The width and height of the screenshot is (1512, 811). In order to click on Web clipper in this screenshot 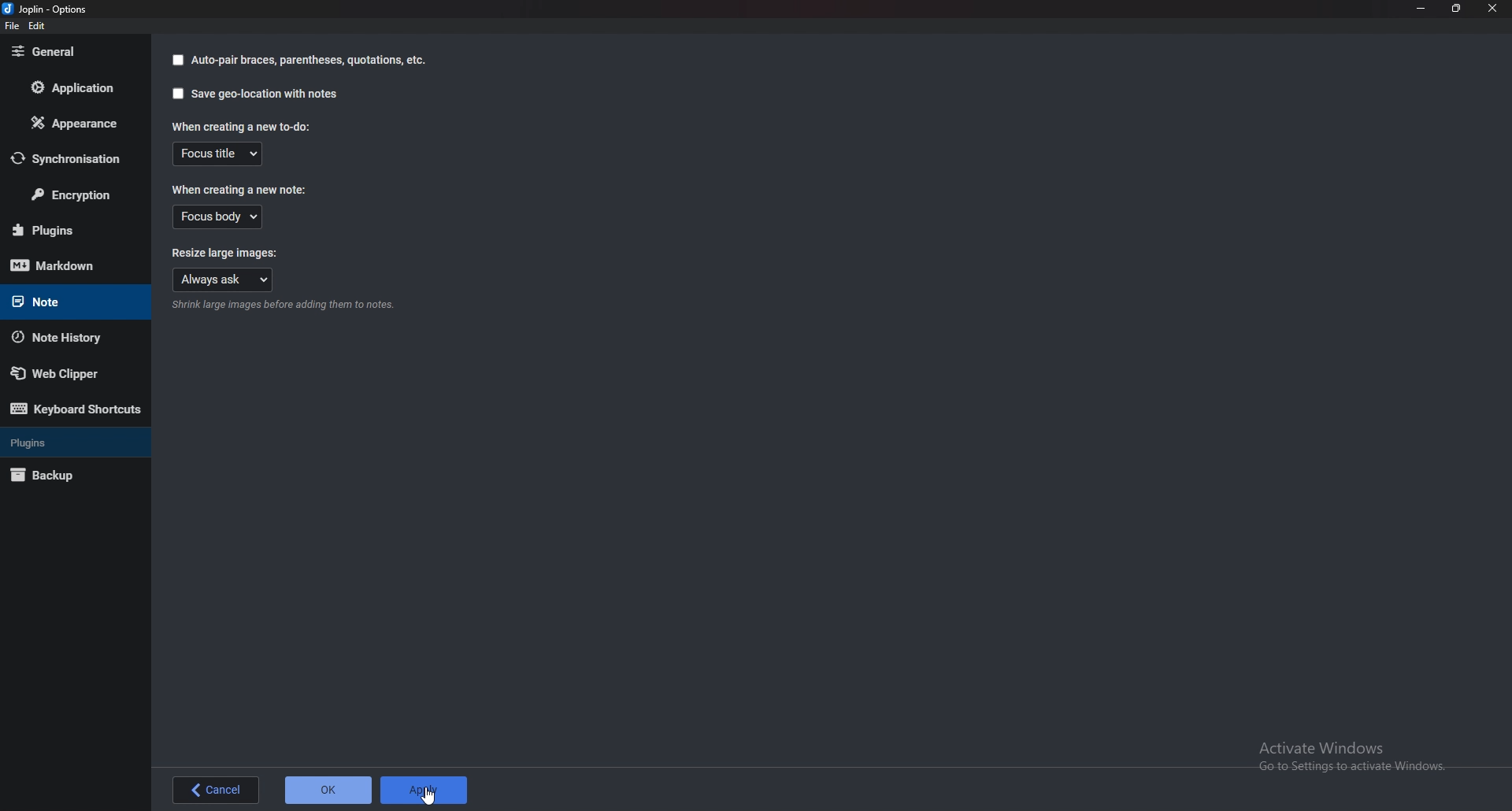, I will do `click(68, 373)`.